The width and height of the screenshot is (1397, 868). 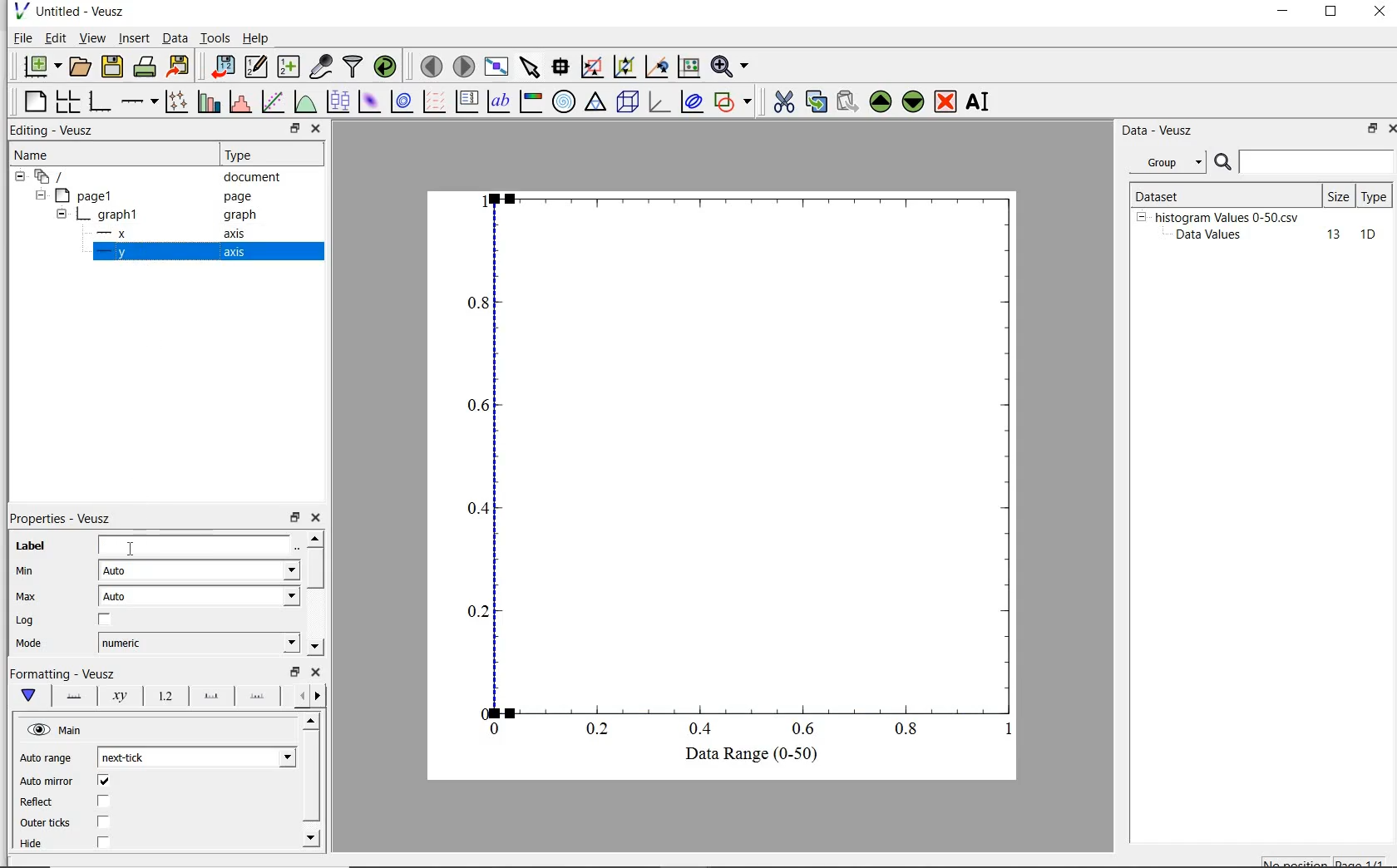 What do you see at coordinates (312, 720) in the screenshot?
I see `move up` at bounding box center [312, 720].